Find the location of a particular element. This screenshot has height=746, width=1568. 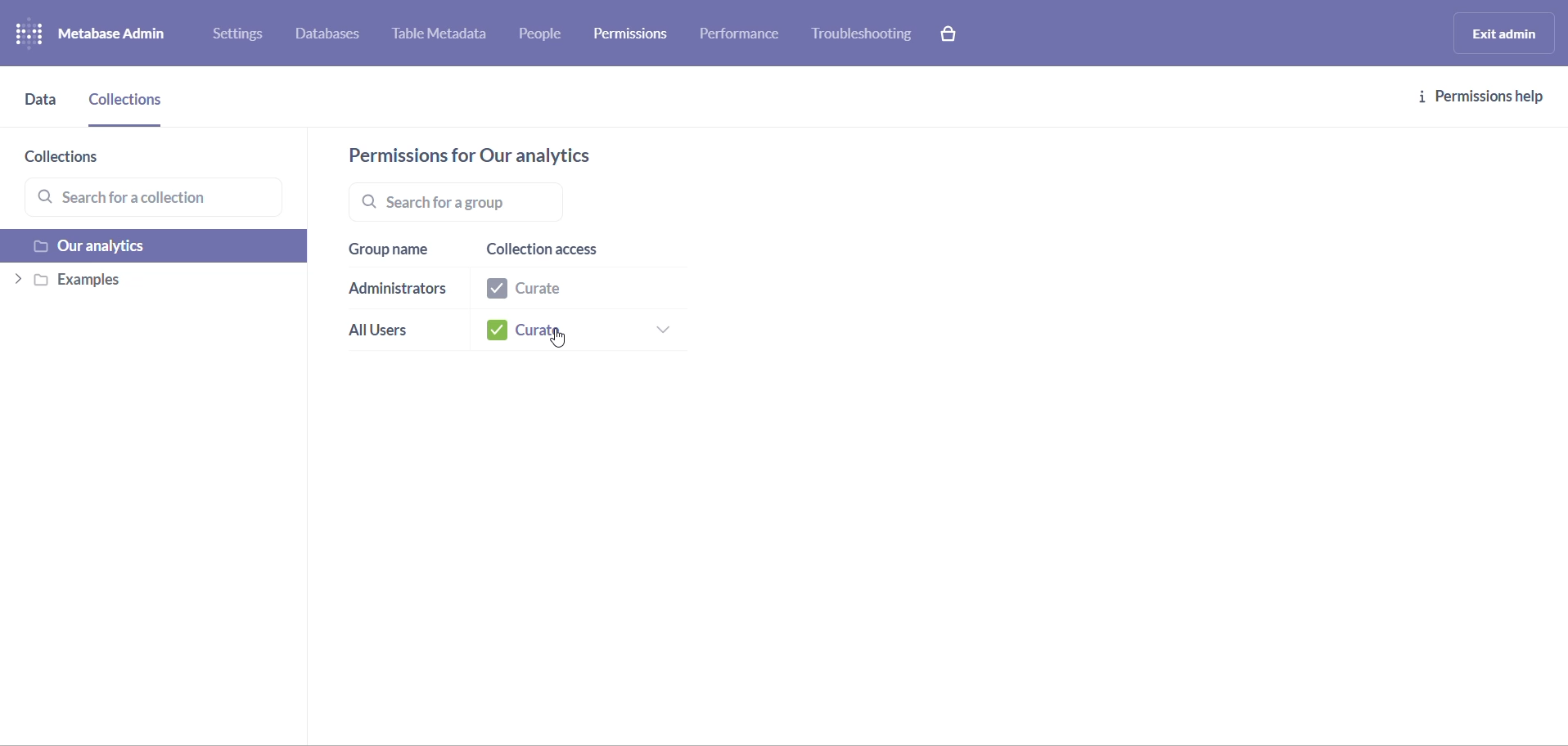

searchbar is located at coordinates (521, 201).